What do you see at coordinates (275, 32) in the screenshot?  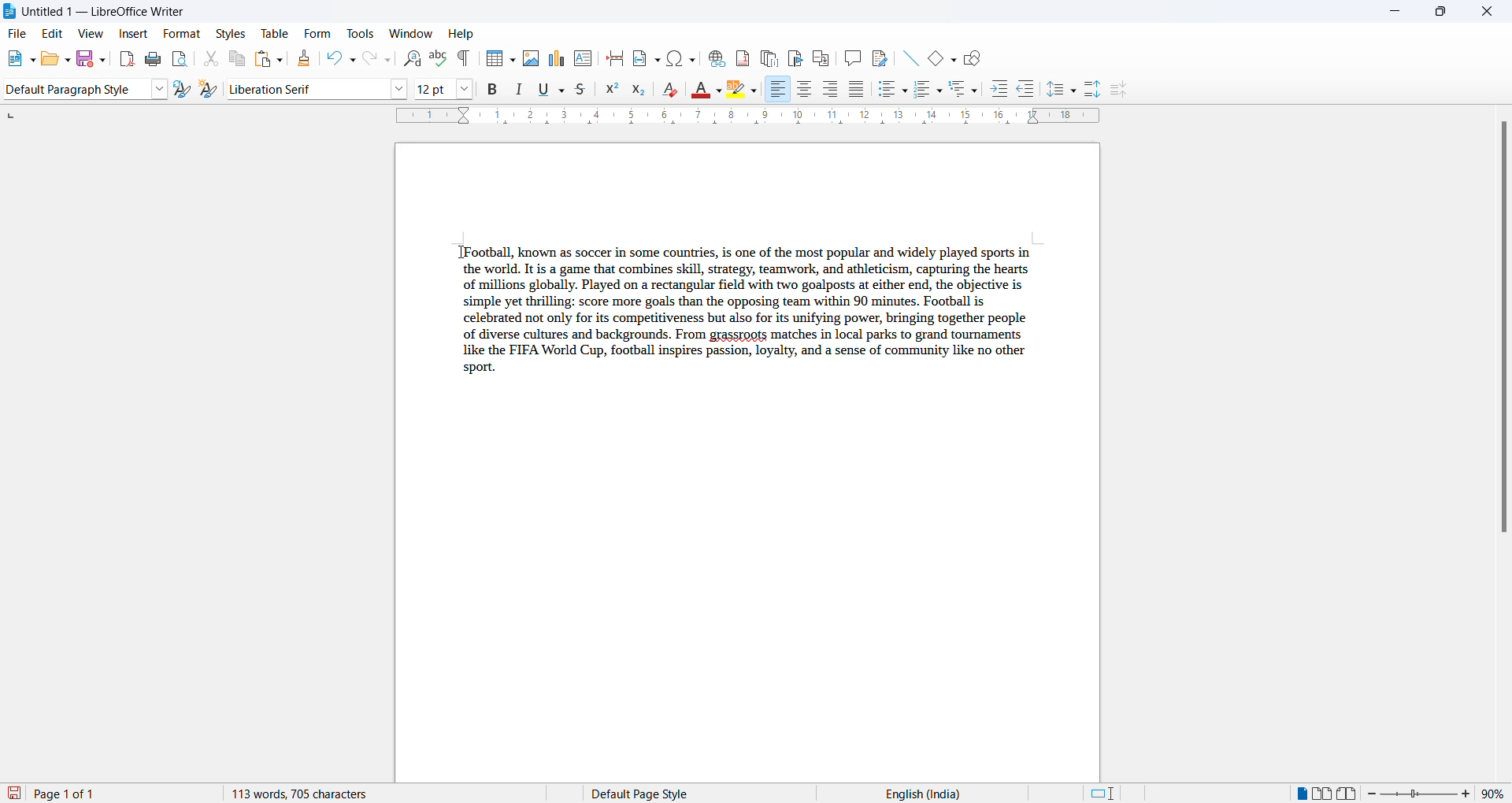 I see `table` at bounding box center [275, 32].